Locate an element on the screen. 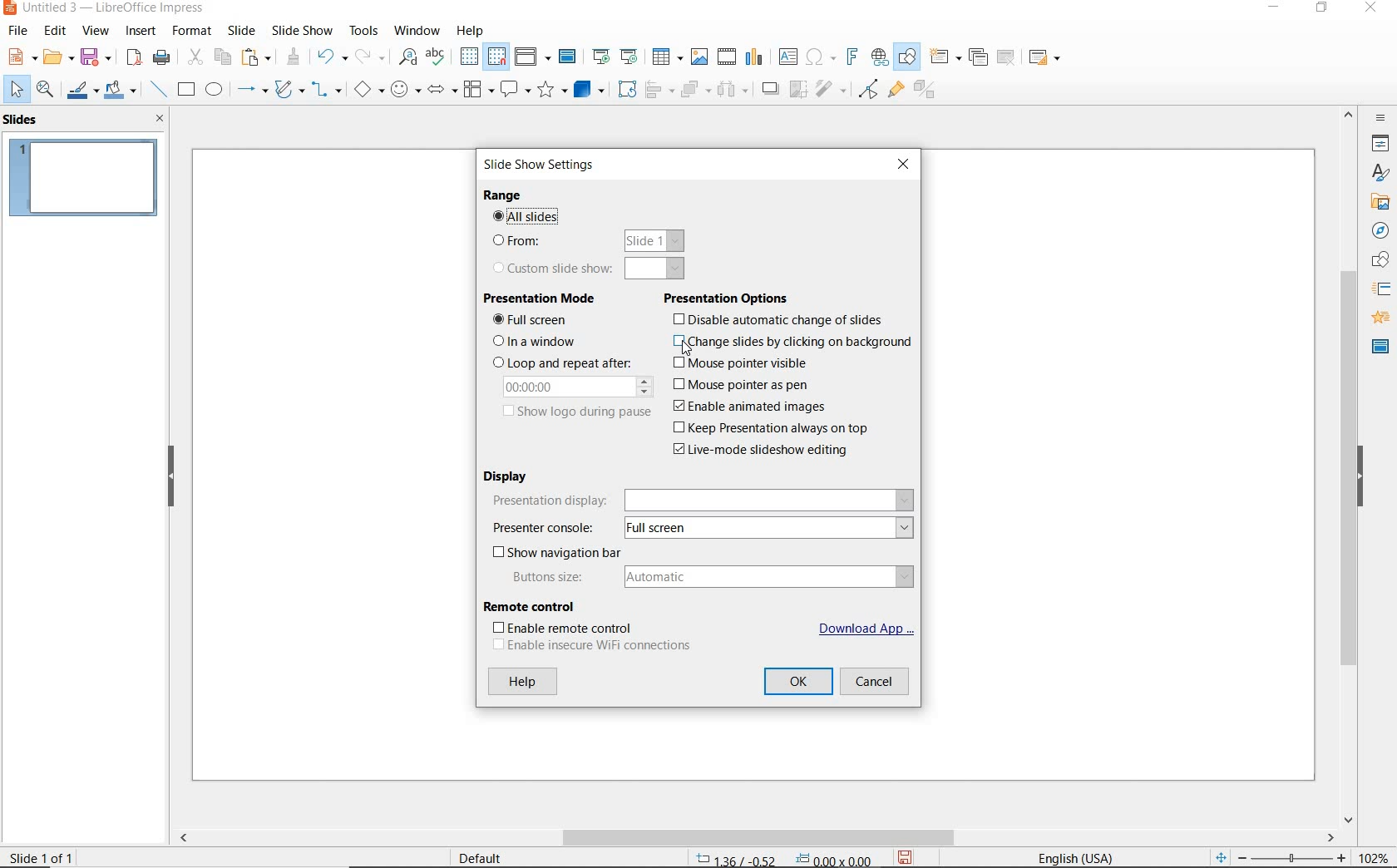  RANGE is located at coordinates (508, 195).